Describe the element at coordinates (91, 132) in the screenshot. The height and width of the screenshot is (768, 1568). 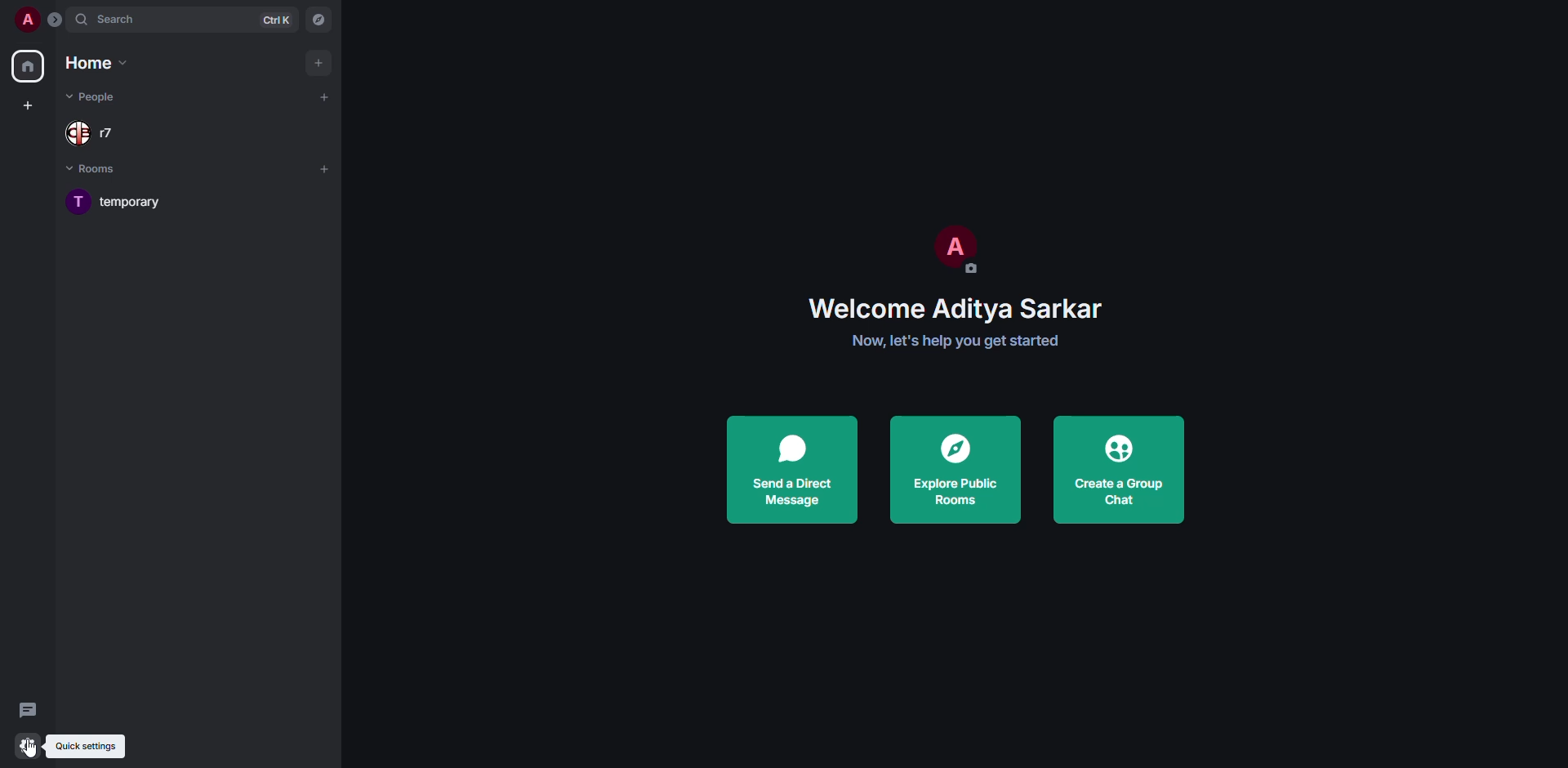
I see `people` at that location.